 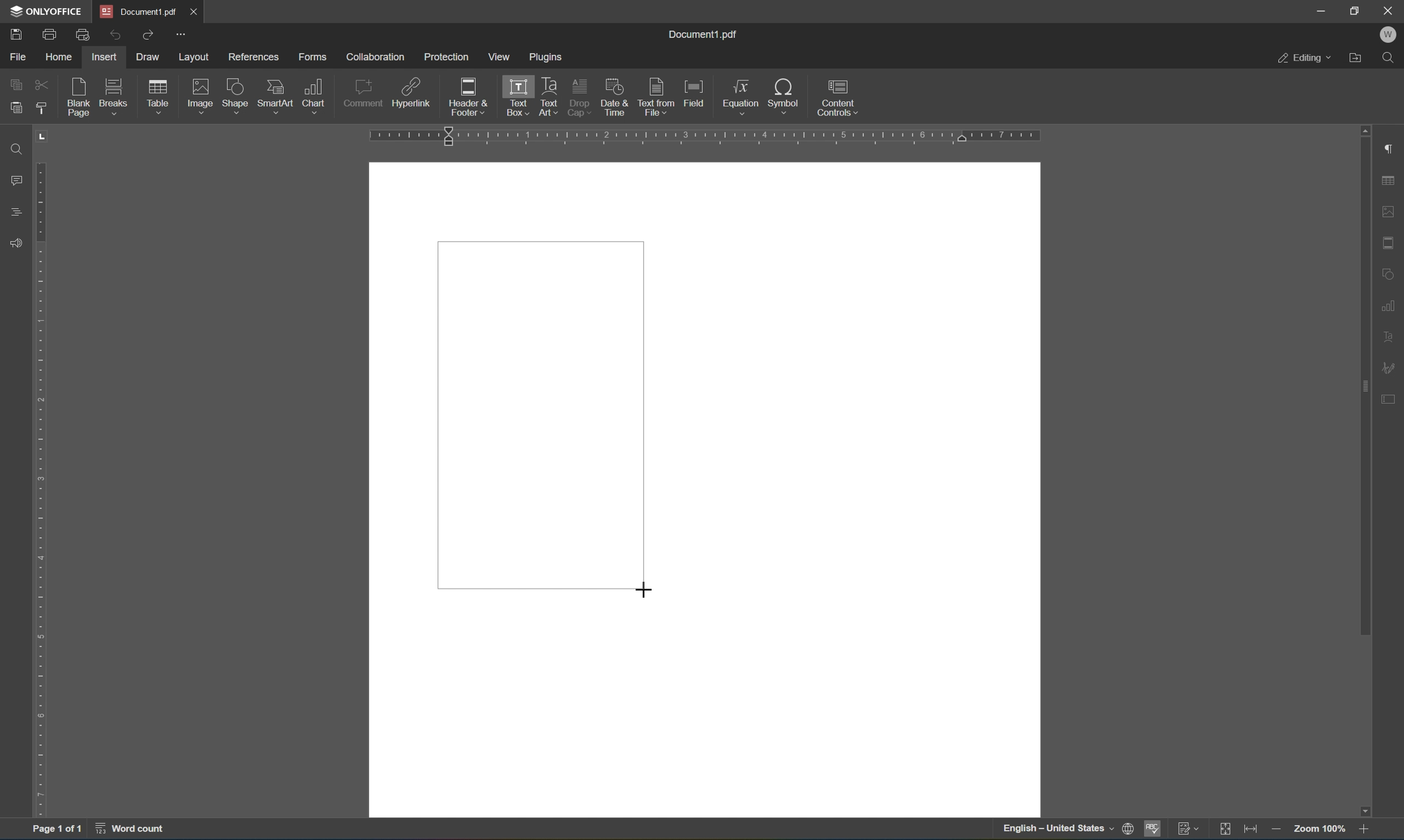 I want to click on Comments, so click(x=19, y=181).